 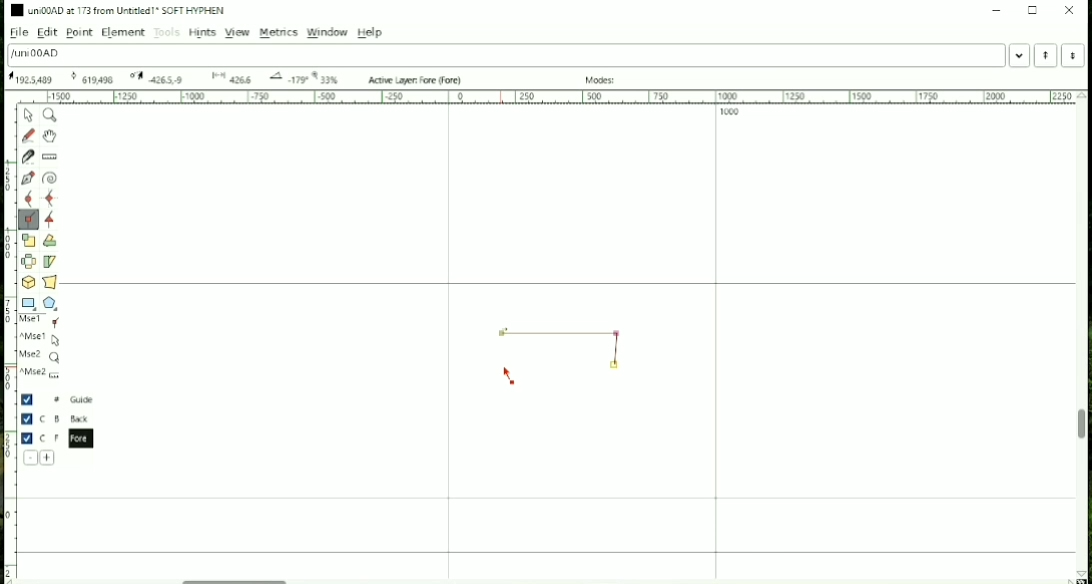 What do you see at coordinates (603, 80) in the screenshot?
I see `Modes` at bounding box center [603, 80].